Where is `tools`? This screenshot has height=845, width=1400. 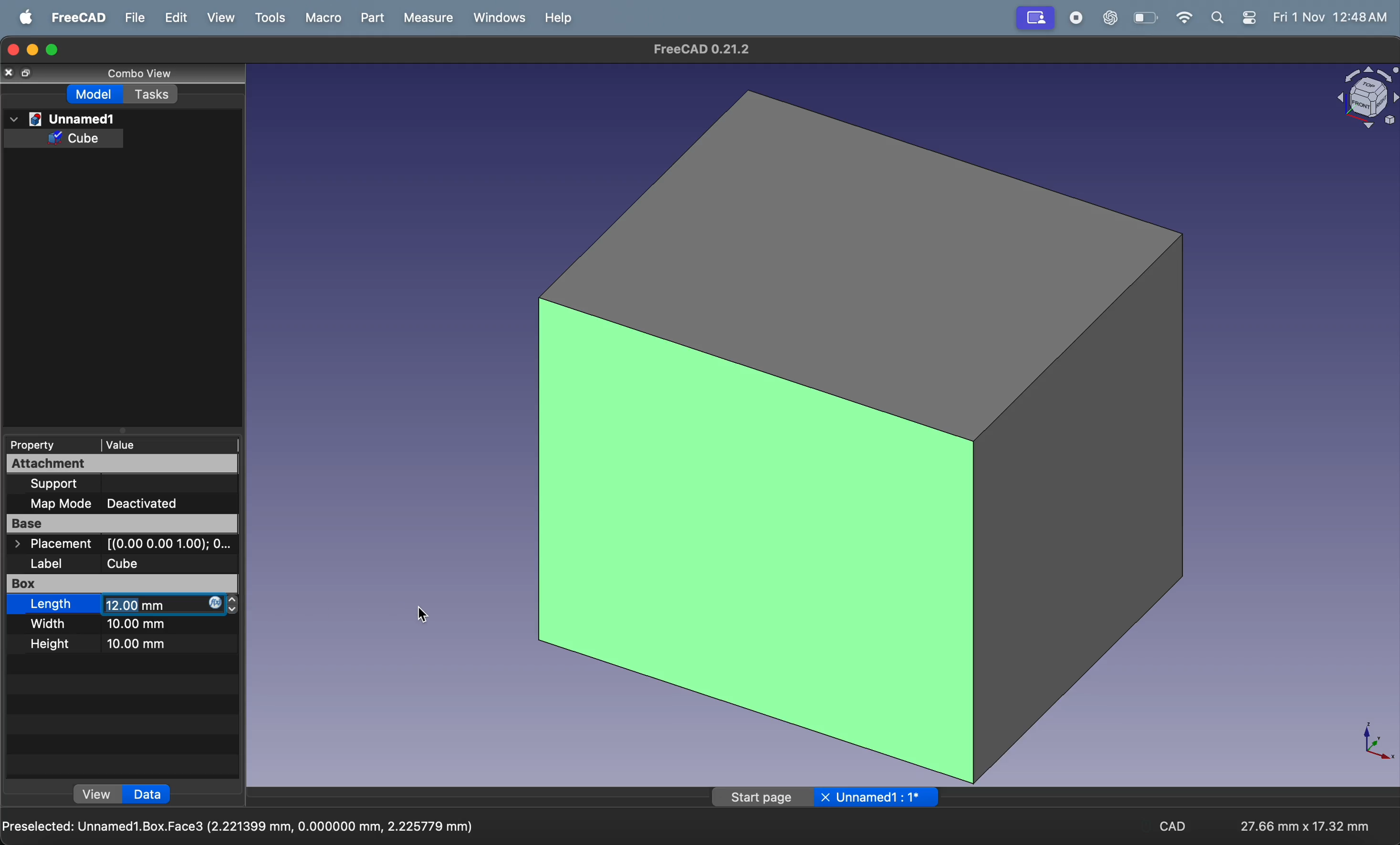
tools is located at coordinates (268, 18).